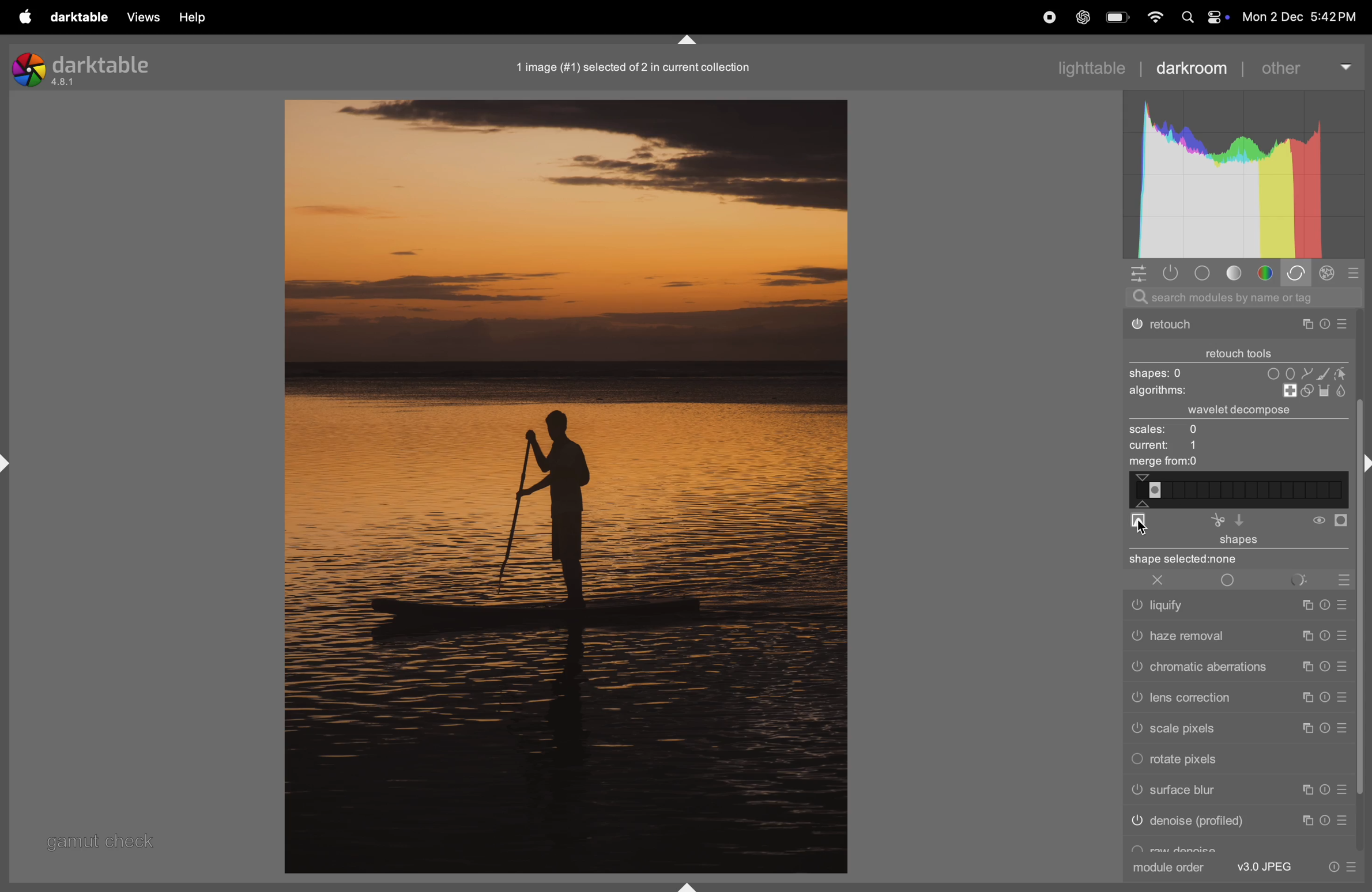 This screenshot has height=892, width=1372. Describe the element at coordinates (1239, 666) in the screenshot. I see `chromatic aberrations` at that location.